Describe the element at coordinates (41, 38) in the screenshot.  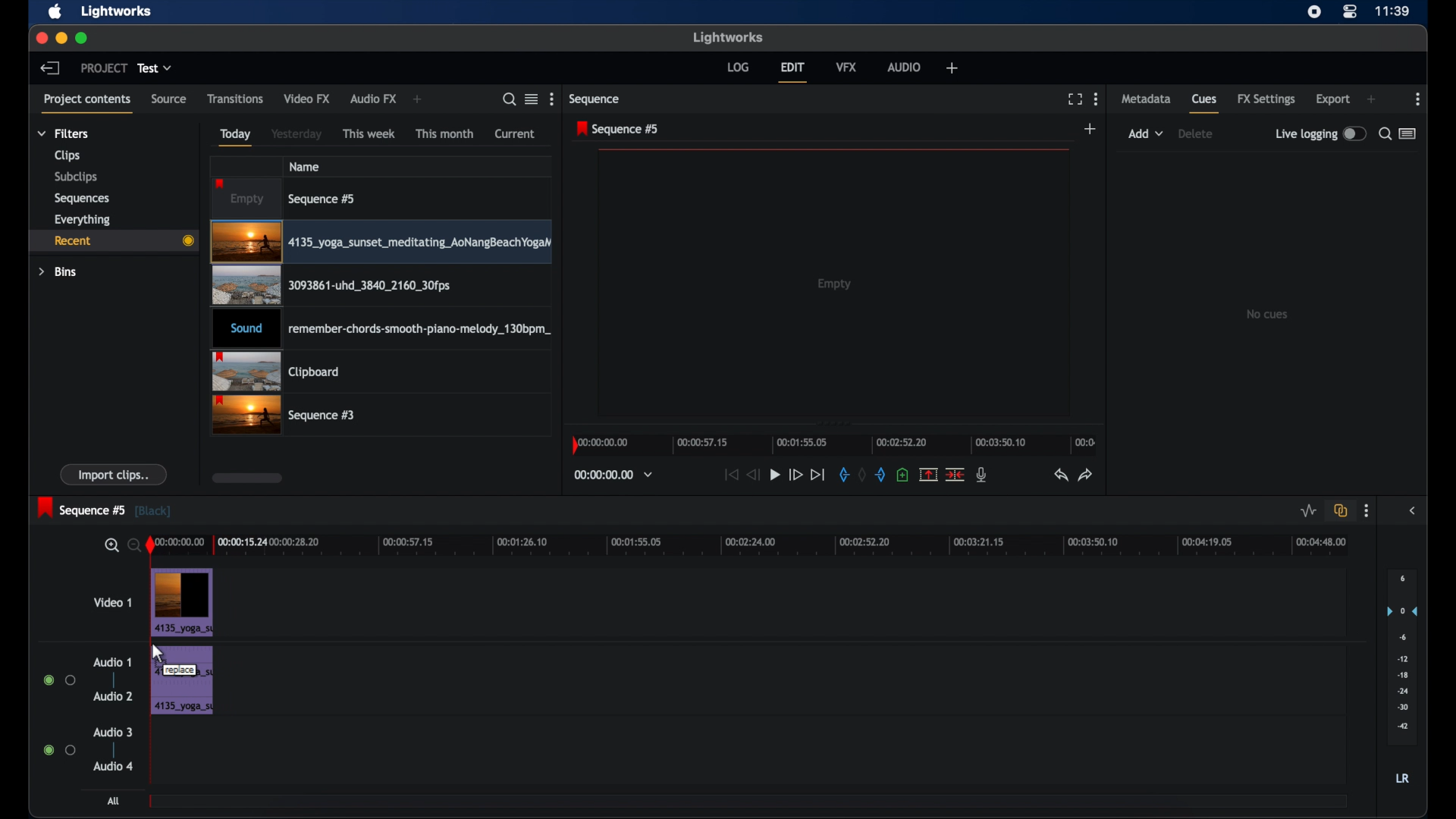
I see `close` at that location.